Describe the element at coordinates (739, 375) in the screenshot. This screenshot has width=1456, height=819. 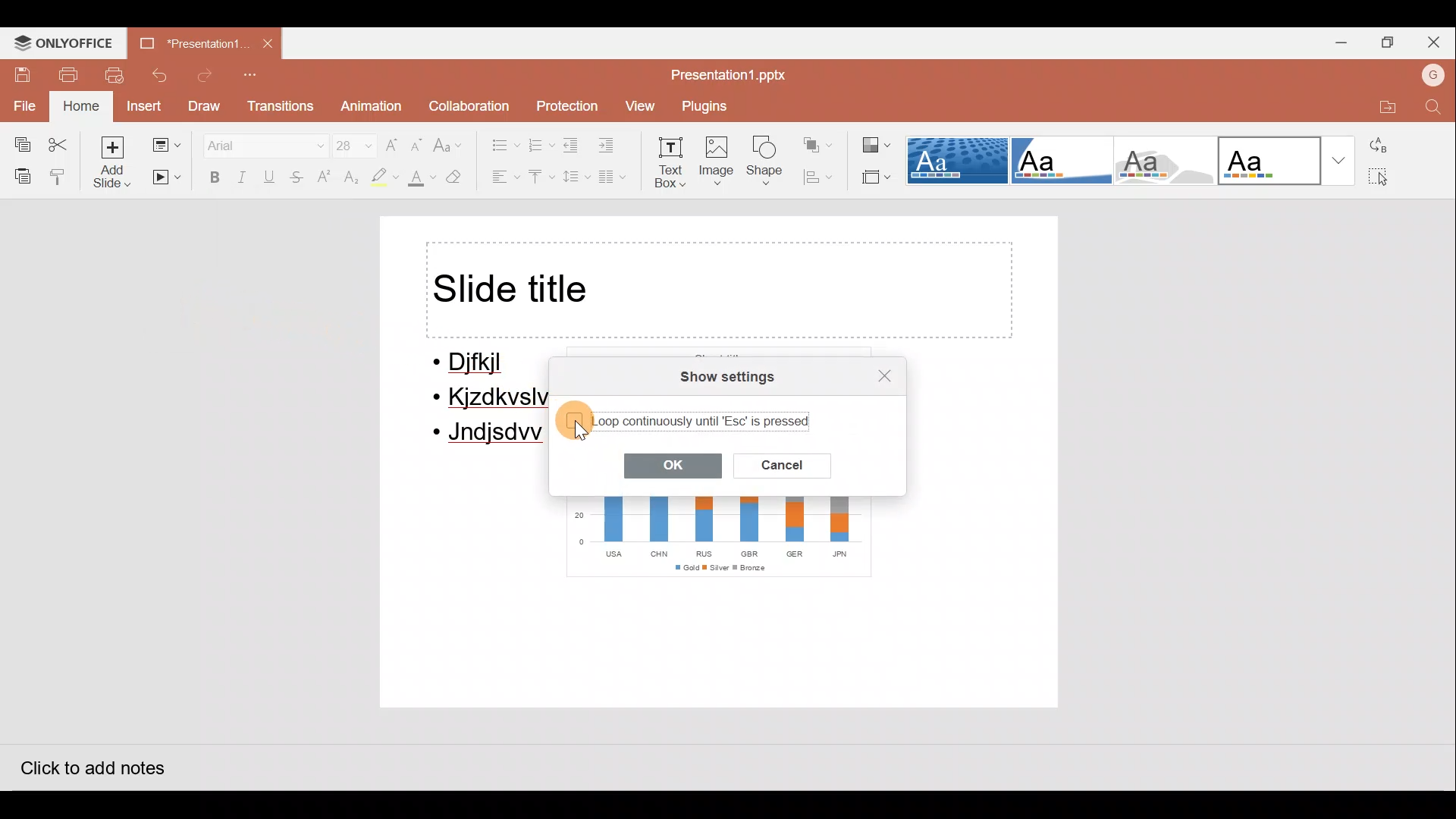
I see `Show settings` at that location.